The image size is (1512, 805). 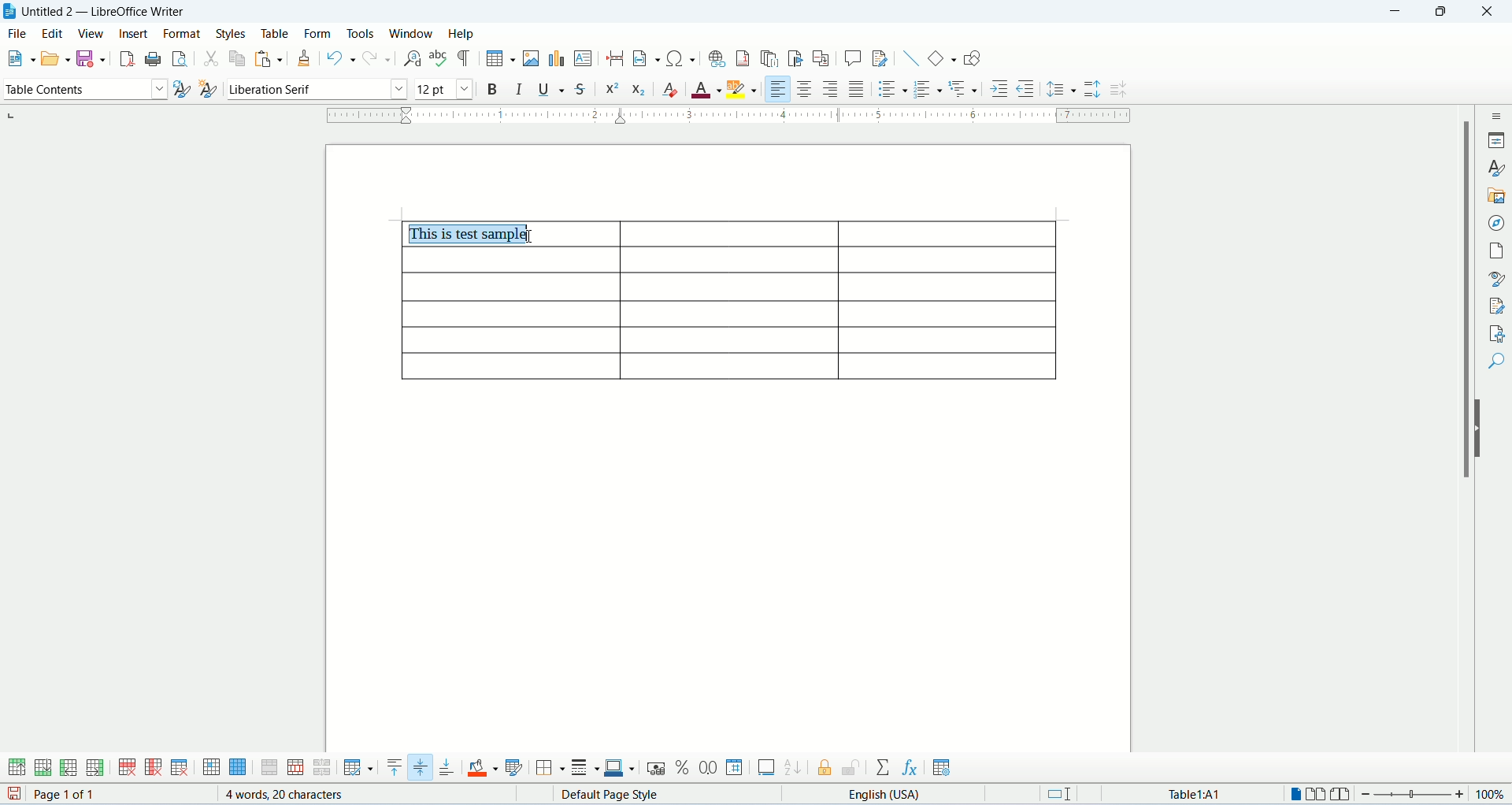 I want to click on split cells, so click(x=297, y=767).